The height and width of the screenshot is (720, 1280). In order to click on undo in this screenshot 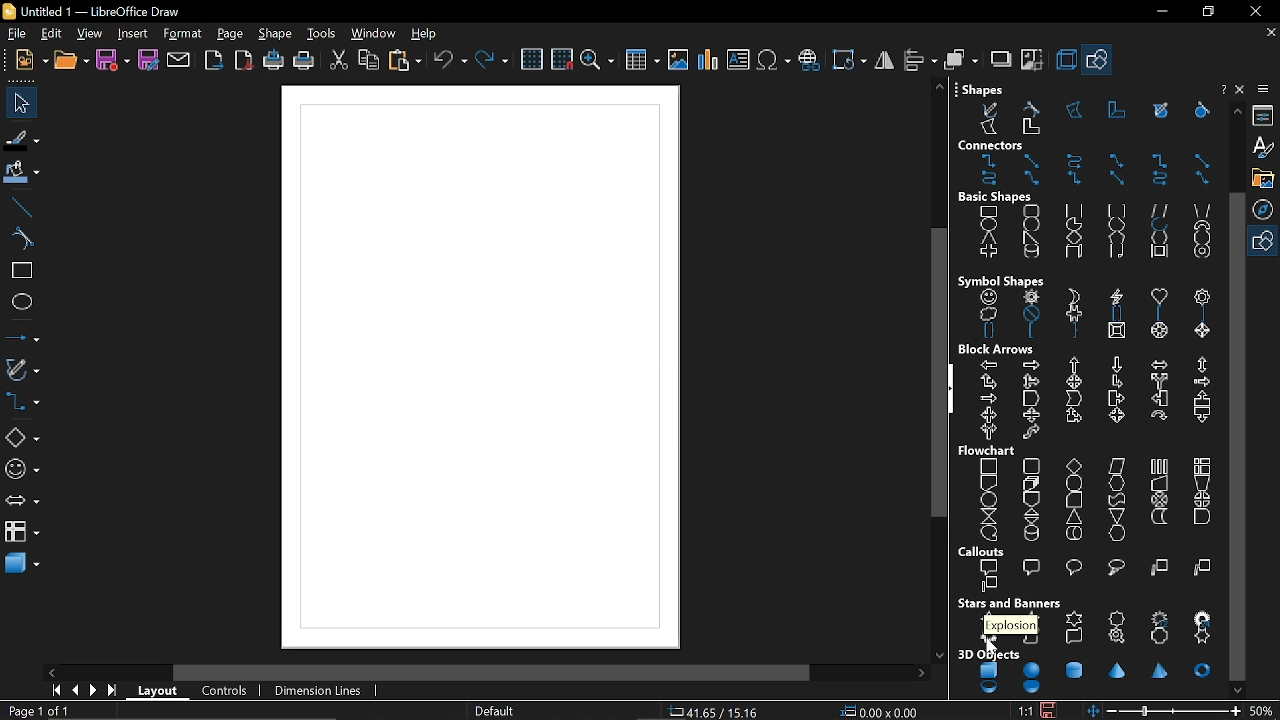, I will do `click(450, 61)`.